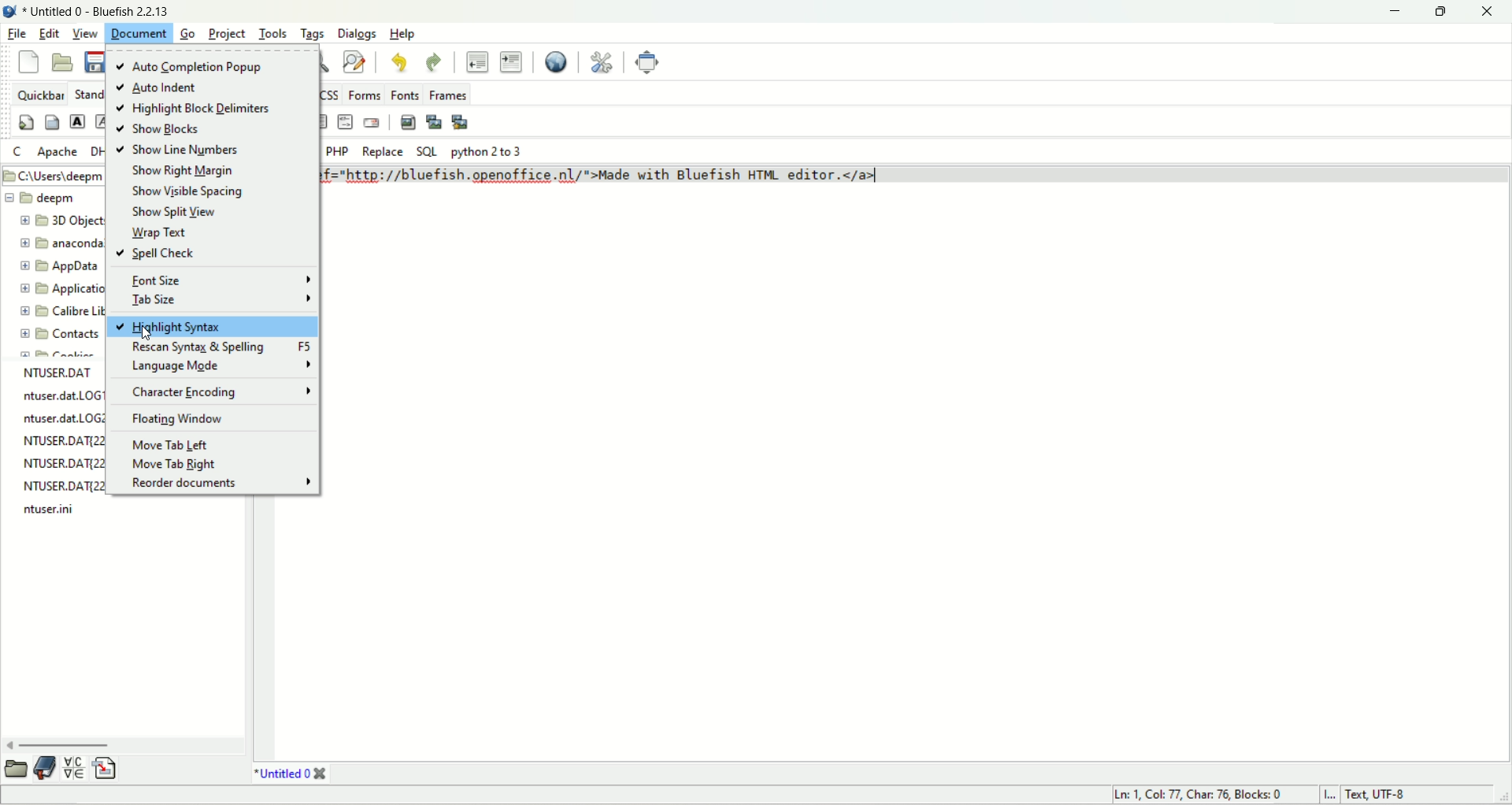 Image resolution: width=1512 pixels, height=805 pixels. What do you see at coordinates (272, 33) in the screenshot?
I see `tools` at bounding box center [272, 33].